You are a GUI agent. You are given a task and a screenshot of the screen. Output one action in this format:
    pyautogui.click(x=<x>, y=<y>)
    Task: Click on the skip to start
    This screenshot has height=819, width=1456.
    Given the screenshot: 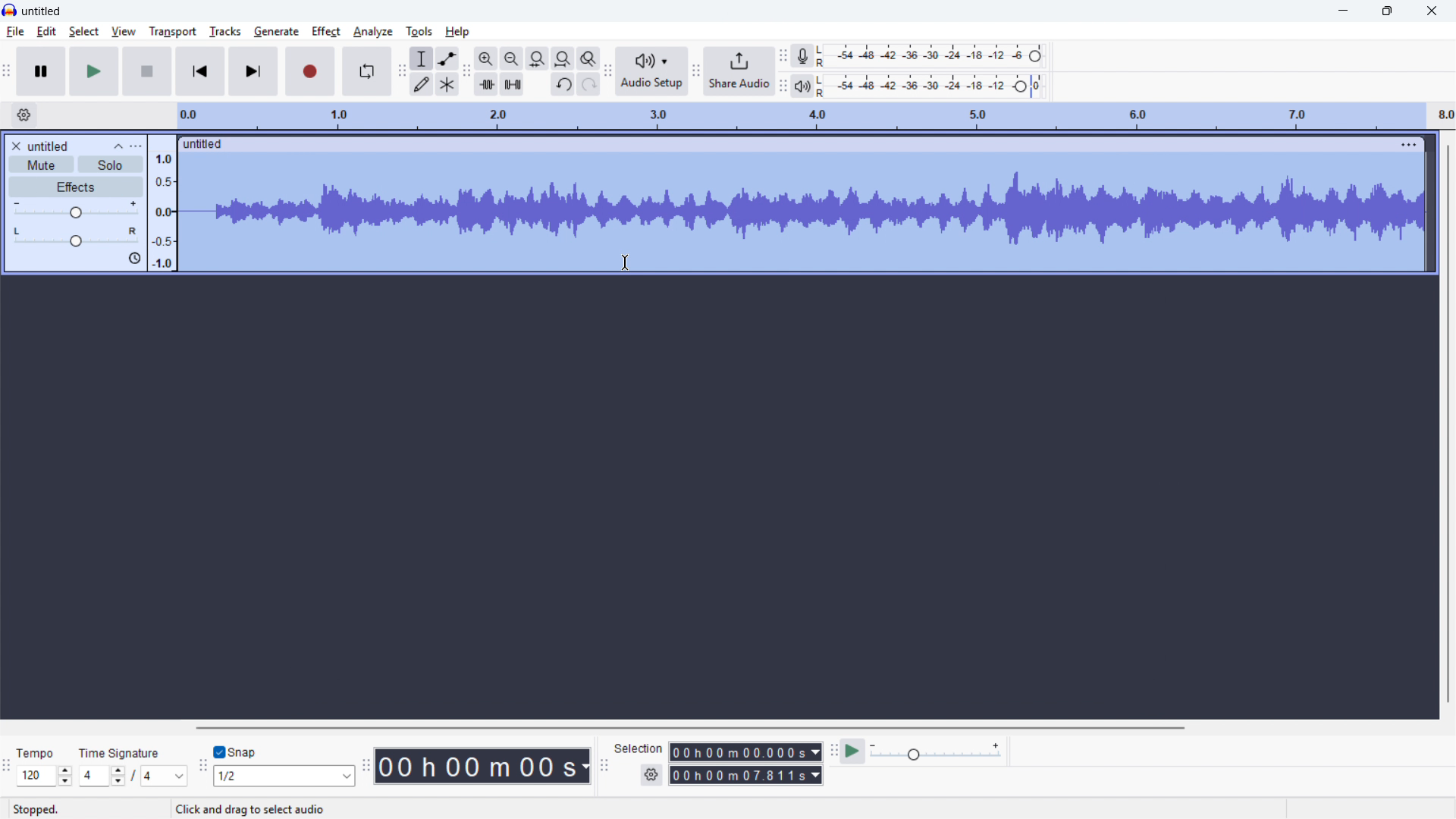 What is the action you would take?
    pyautogui.click(x=200, y=71)
    